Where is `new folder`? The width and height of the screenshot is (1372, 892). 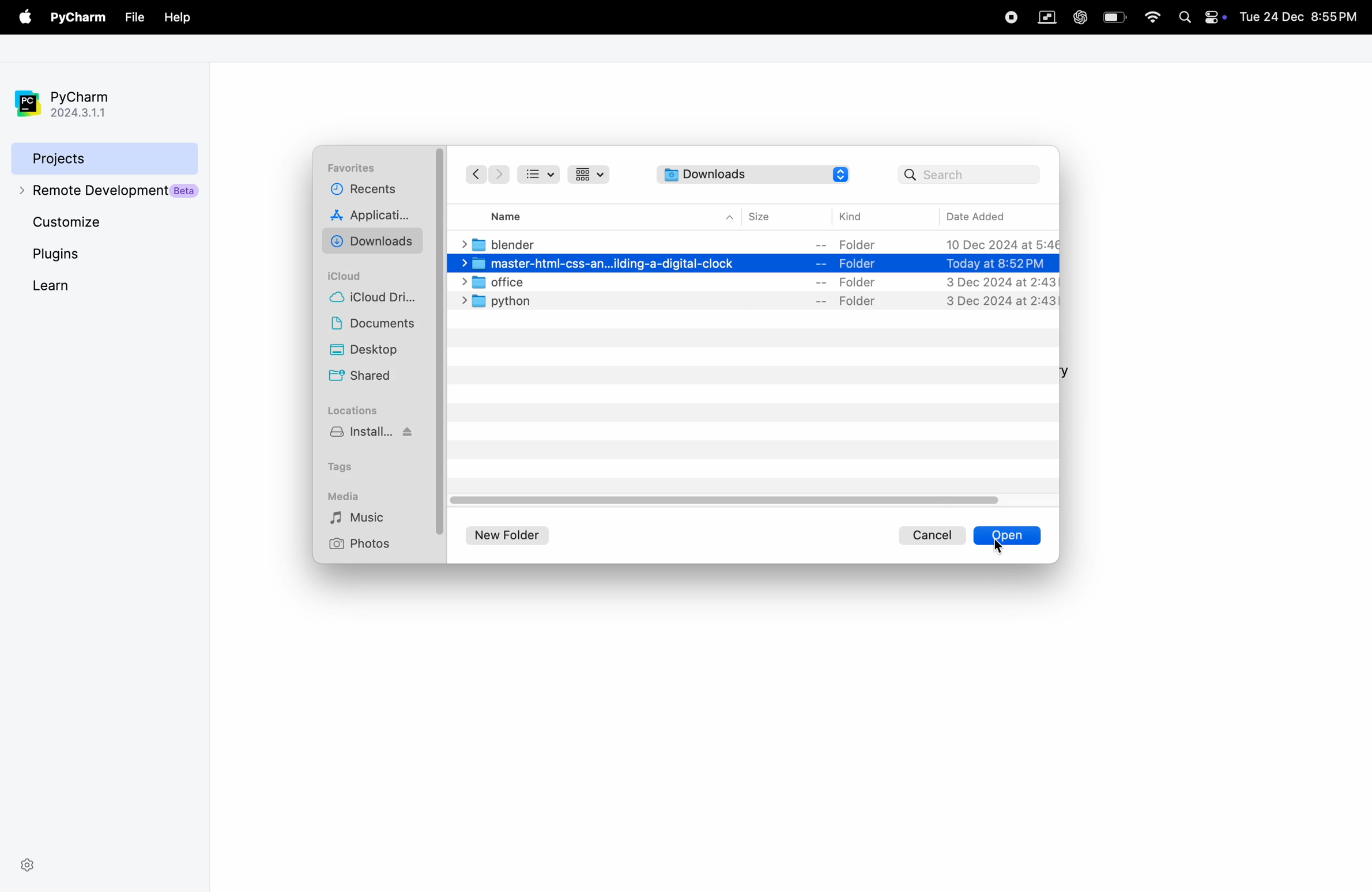 new folder is located at coordinates (513, 533).